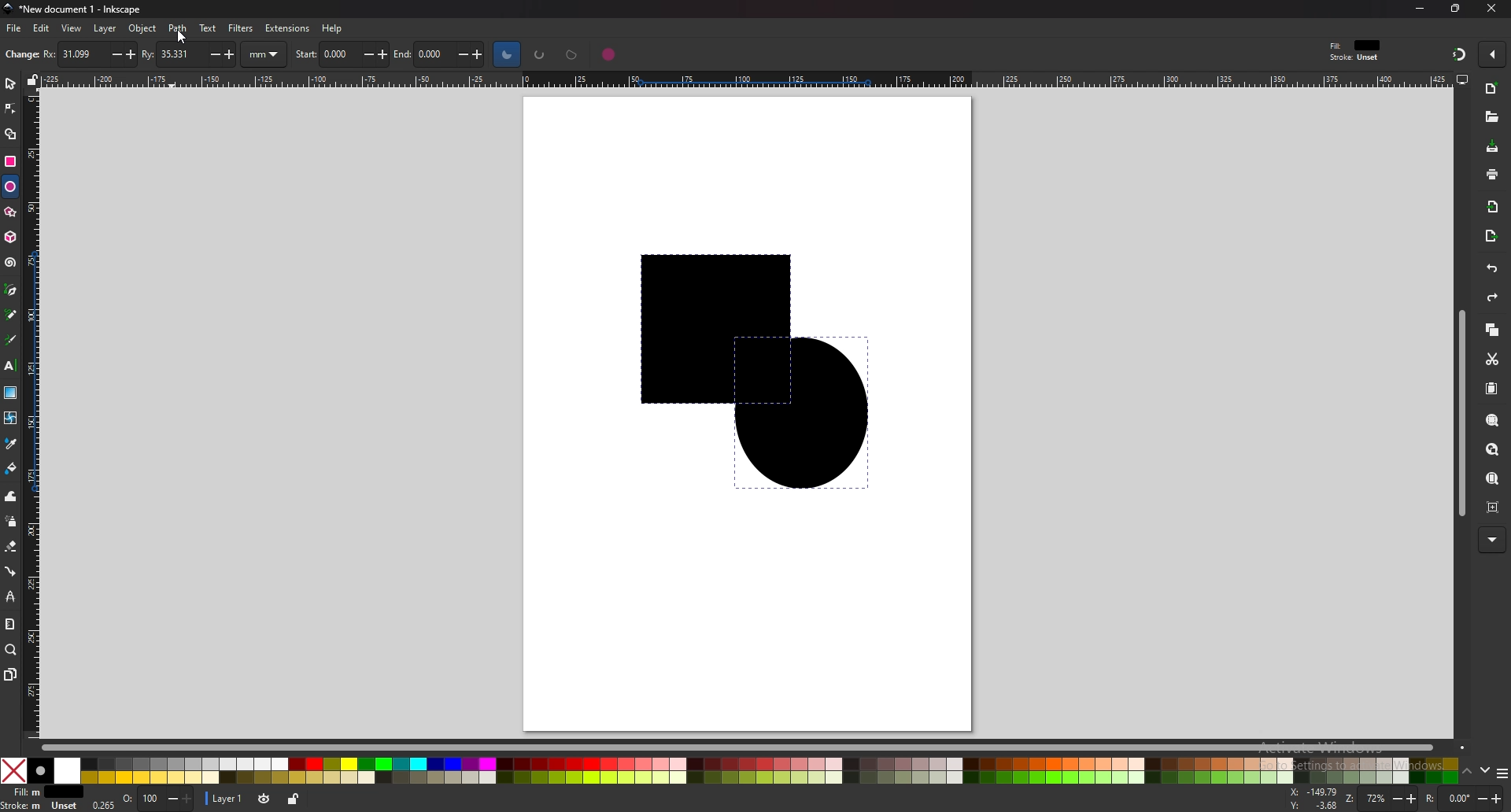 The width and height of the screenshot is (1511, 812). Describe the element at coordinates (1494, 507) in the screenshot. I see `zoom center` at that location.